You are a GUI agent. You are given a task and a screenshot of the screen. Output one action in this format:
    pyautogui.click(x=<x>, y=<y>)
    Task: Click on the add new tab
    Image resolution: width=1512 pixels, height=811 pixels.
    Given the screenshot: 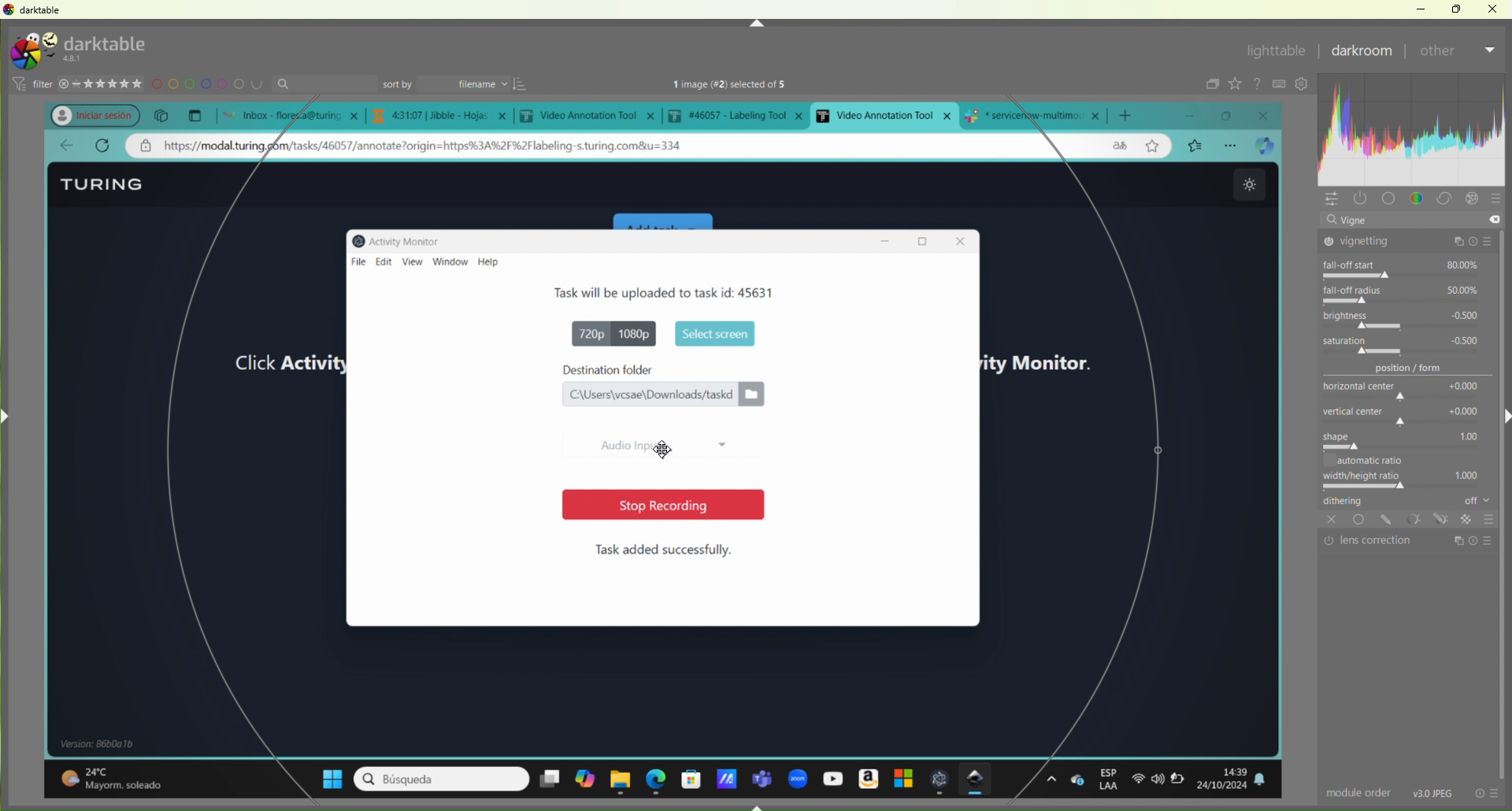 What is the action you would take?
    pyautogui.click(x=1131, y=112)
    